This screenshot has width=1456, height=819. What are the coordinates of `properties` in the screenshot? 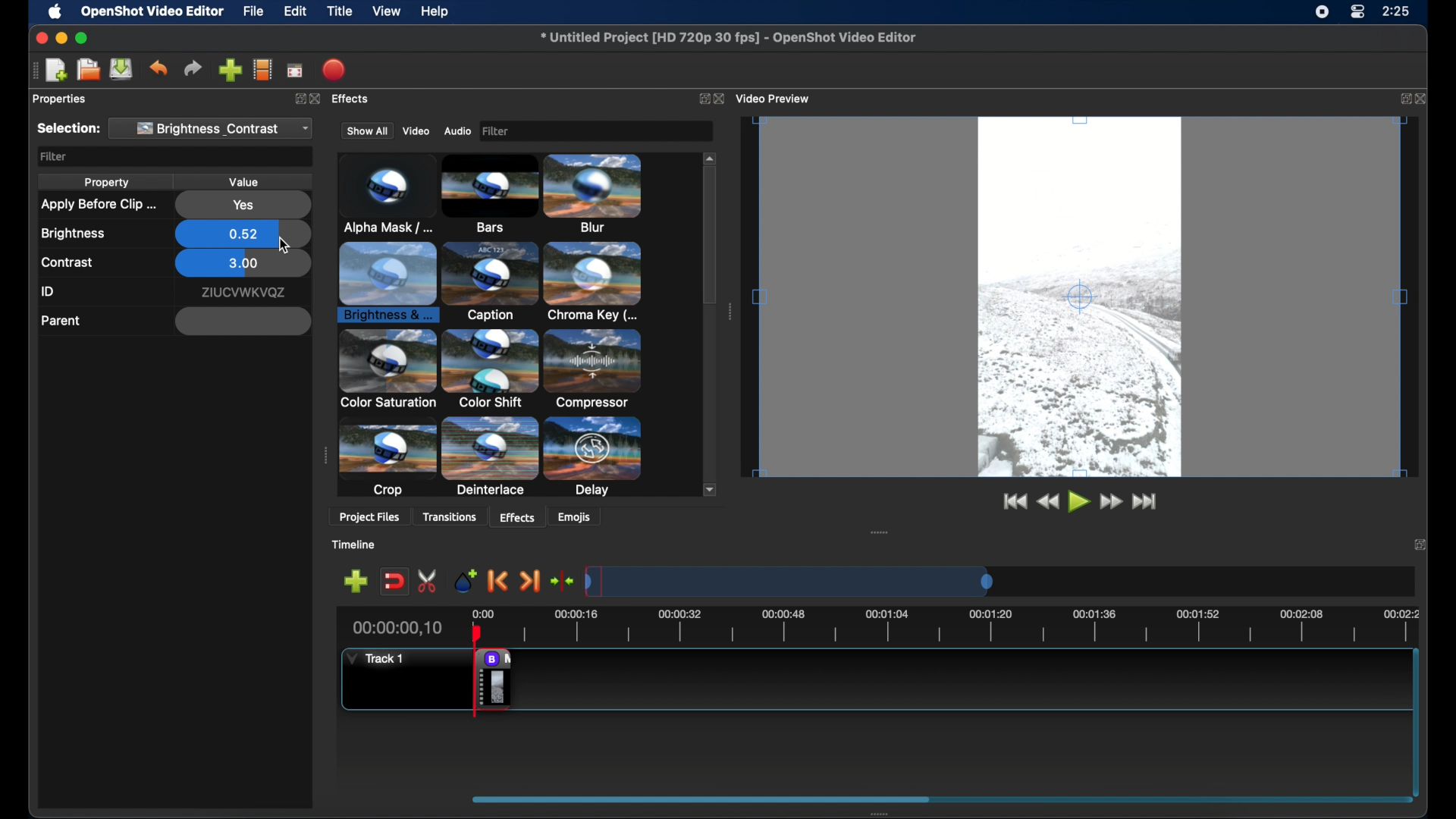 It's located at (60, 99).